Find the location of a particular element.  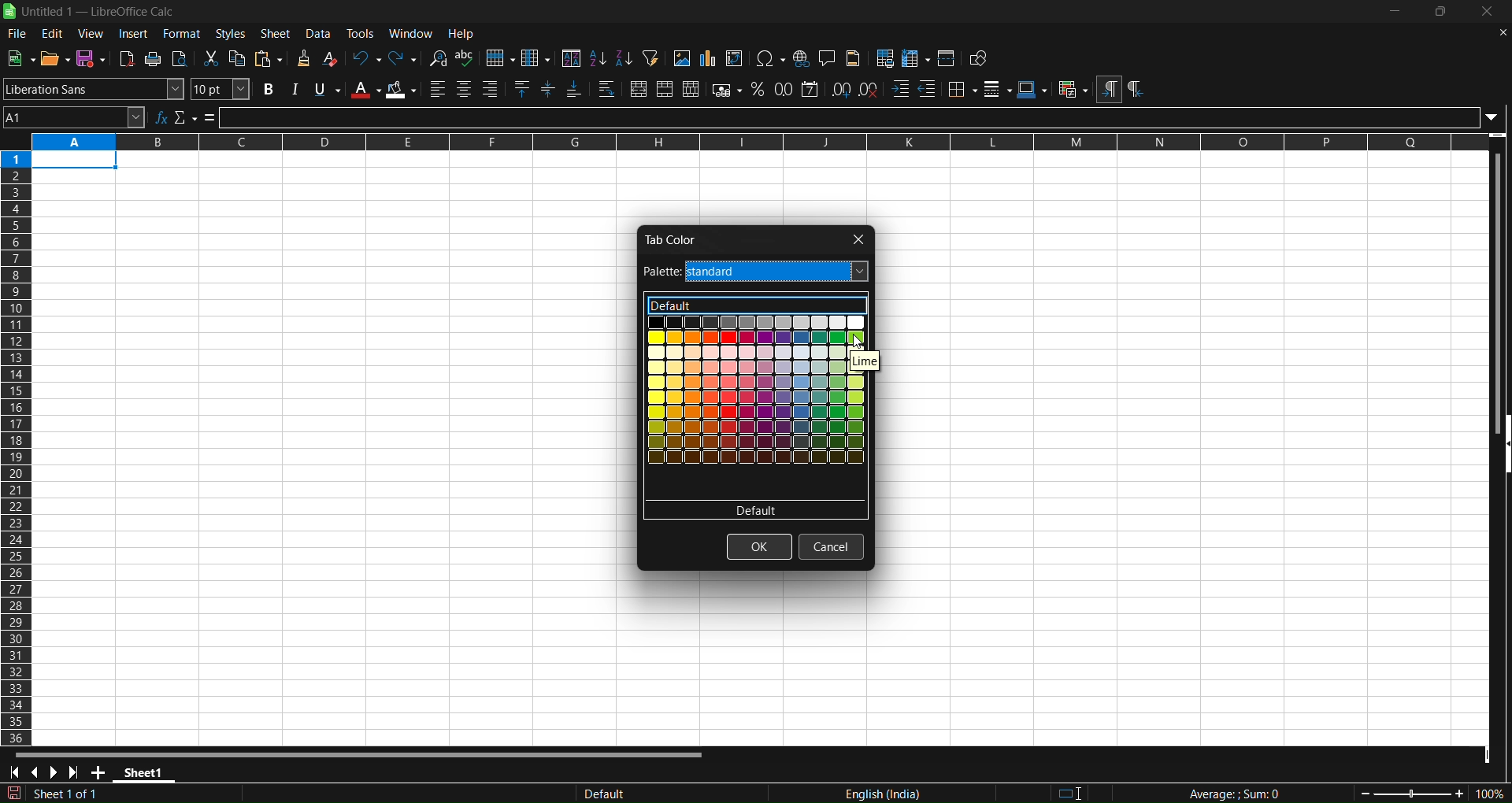

row is located at coordinates (500, 58).